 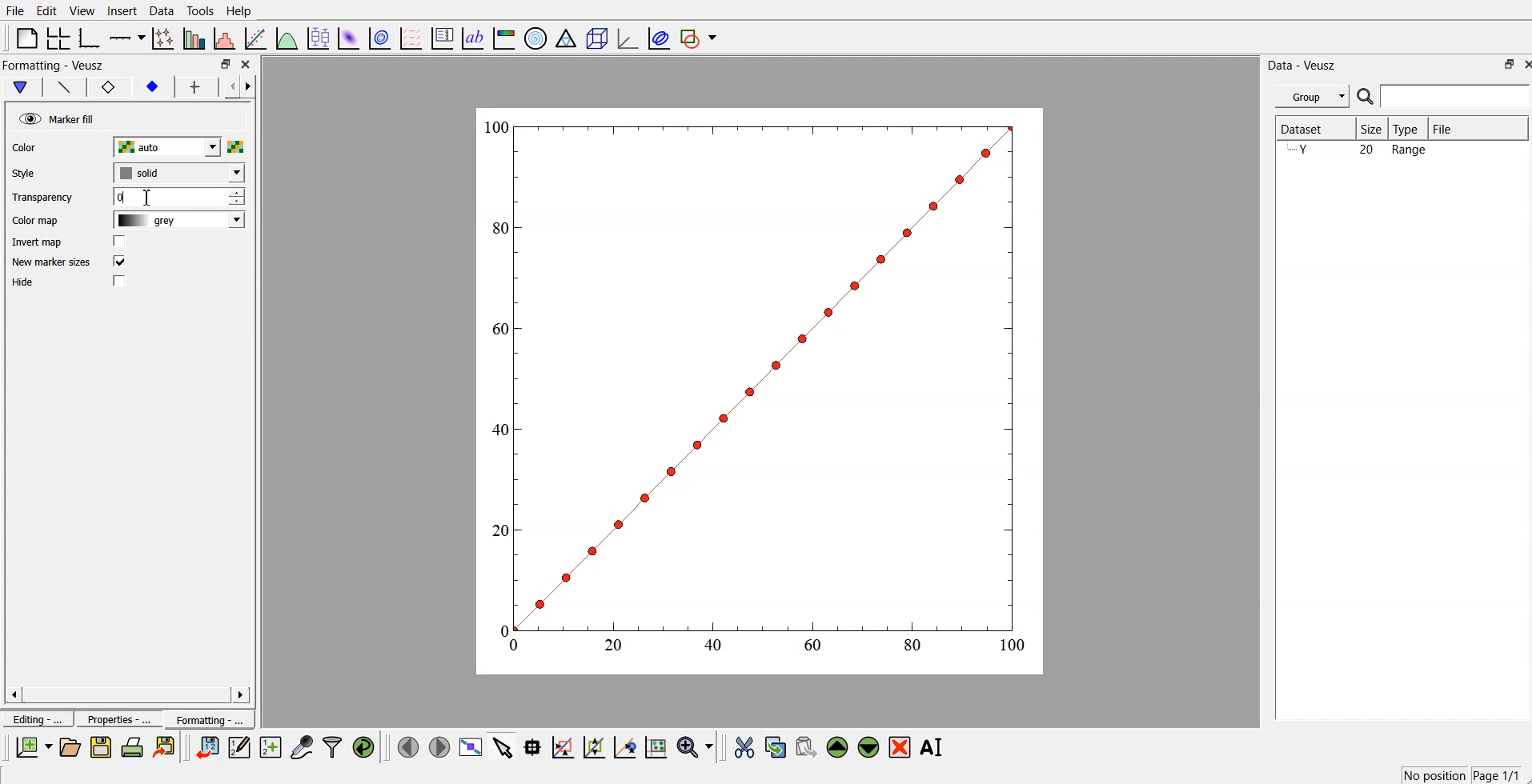 I want to click on Min/Max, so click(x=1502, y=64).